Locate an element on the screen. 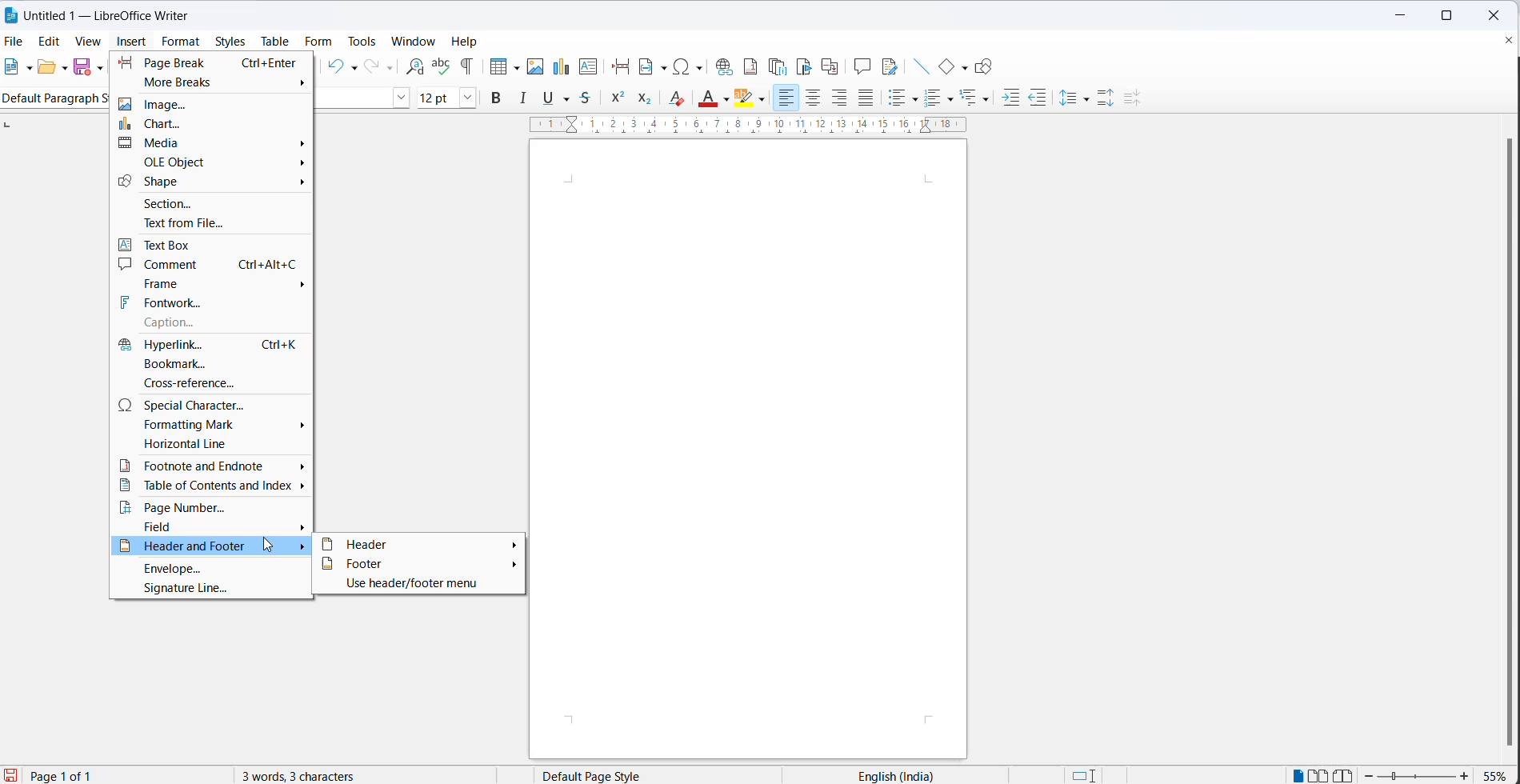 The height and width of the screenshot is (784, 1520). redo options is located at coordinates (388, 67).